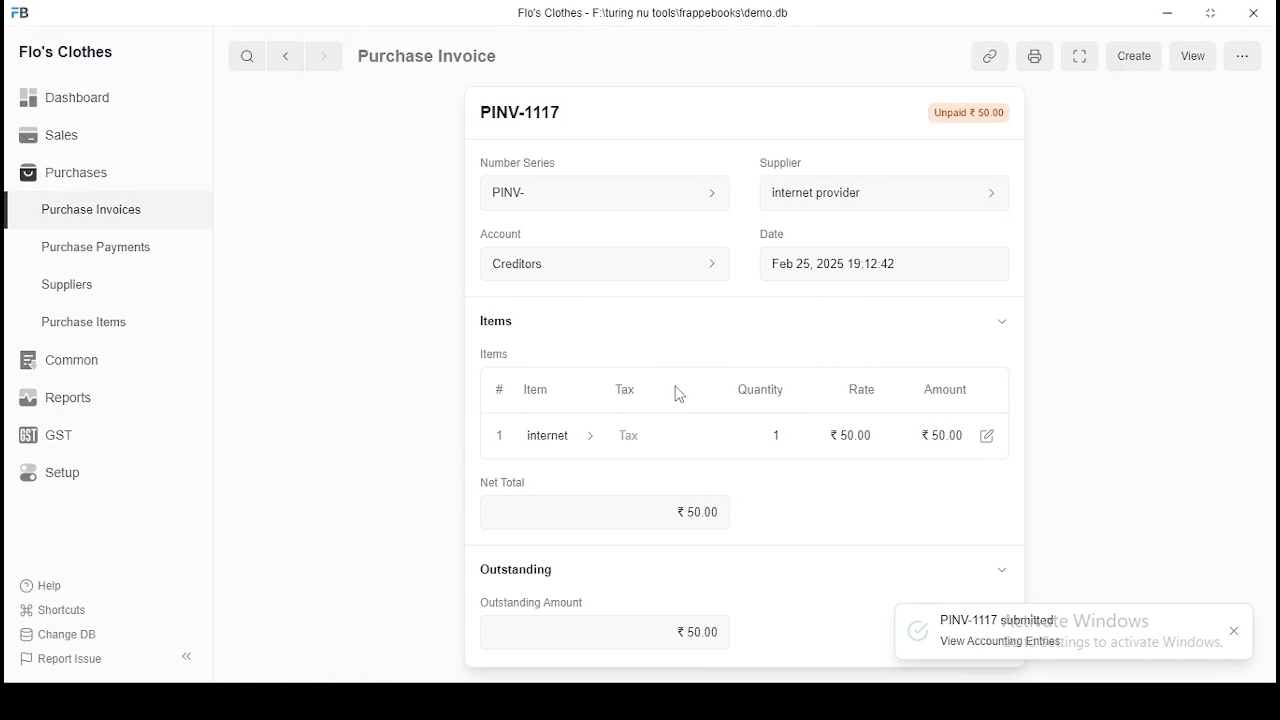 The height and width of the screenshot is (720, 1280). What do you see at coordinates (532, 603) in the screenshot?
I see `outstanding amount` at bounding box center [532, 603].